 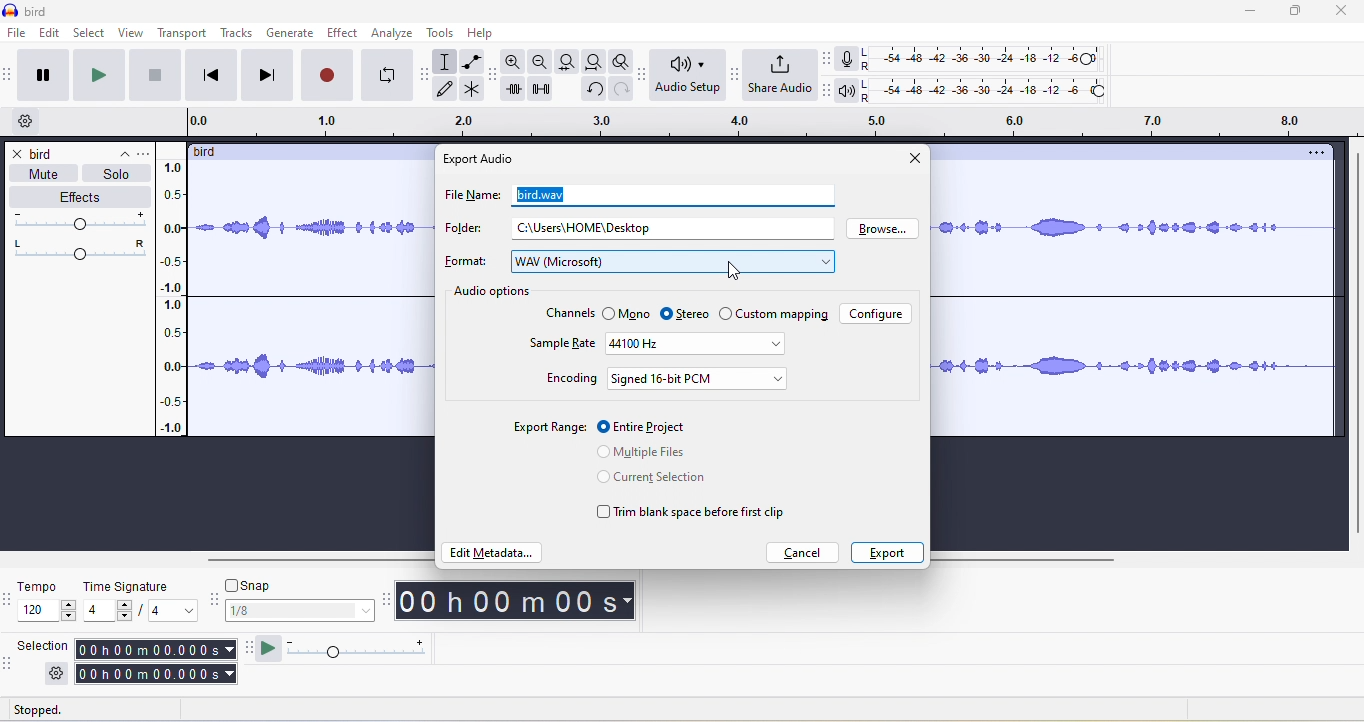 I want to click on way , so click(x=672, y=263).